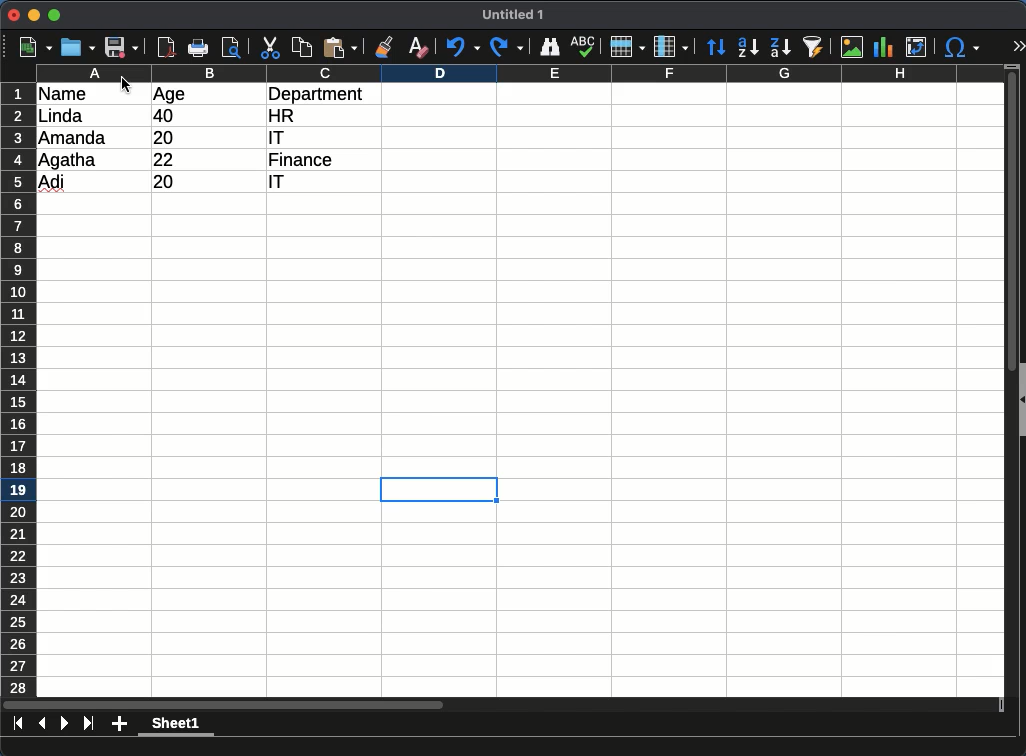 The height and width of the screenshot is (756, 1026). Describe the element at coordinates (851, 49) in the screenshot. I see `image` at that location.